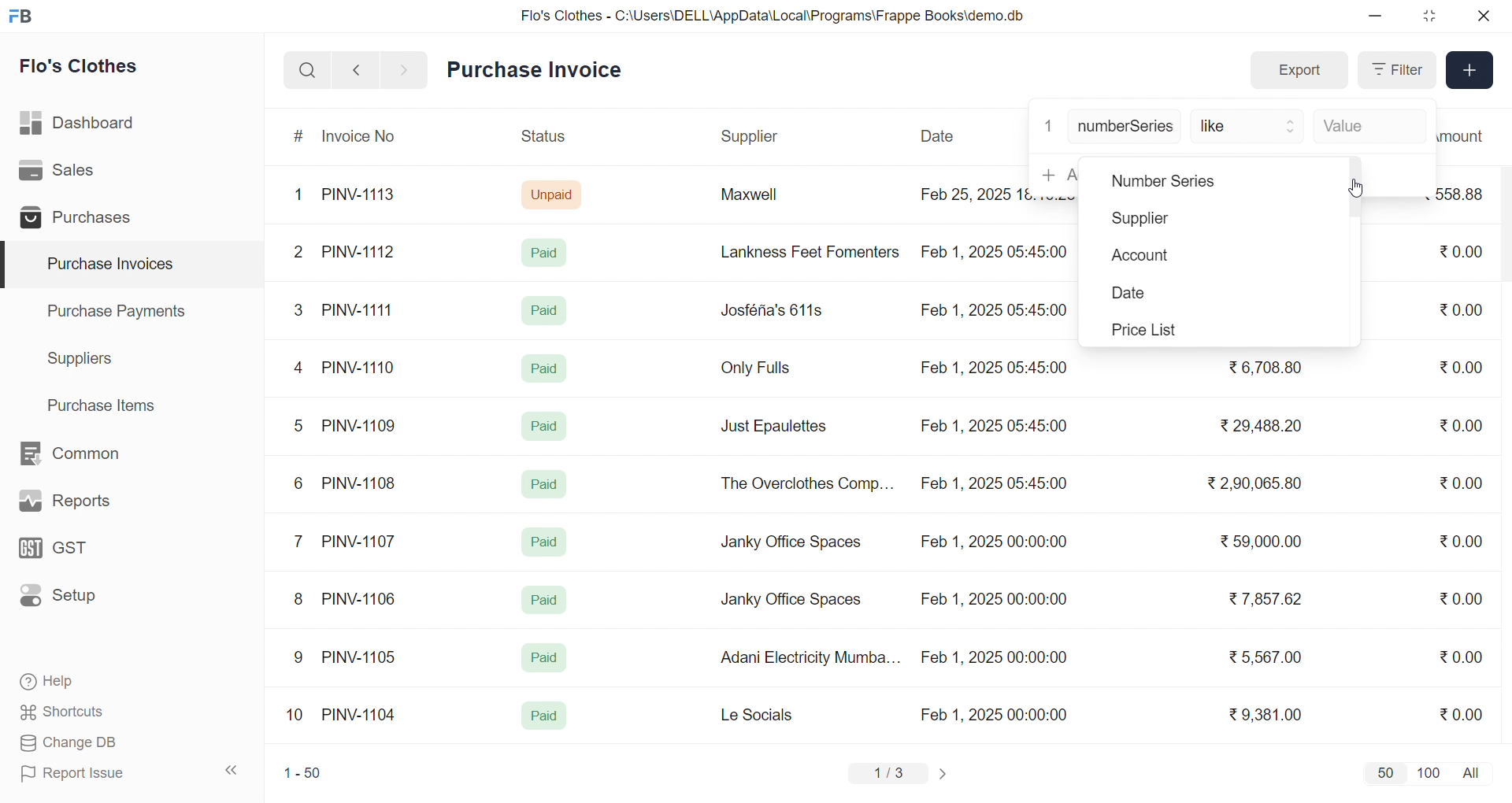 The height and width of the screenshot is (803, 1512). What do you see at coordinates (773, 16) in the screenshot?
I see `Flo's Clothes - C:\Users\DELL\AppData\Local\Programs\Frappe Books\demo.db` at bounding box center [773, 16].